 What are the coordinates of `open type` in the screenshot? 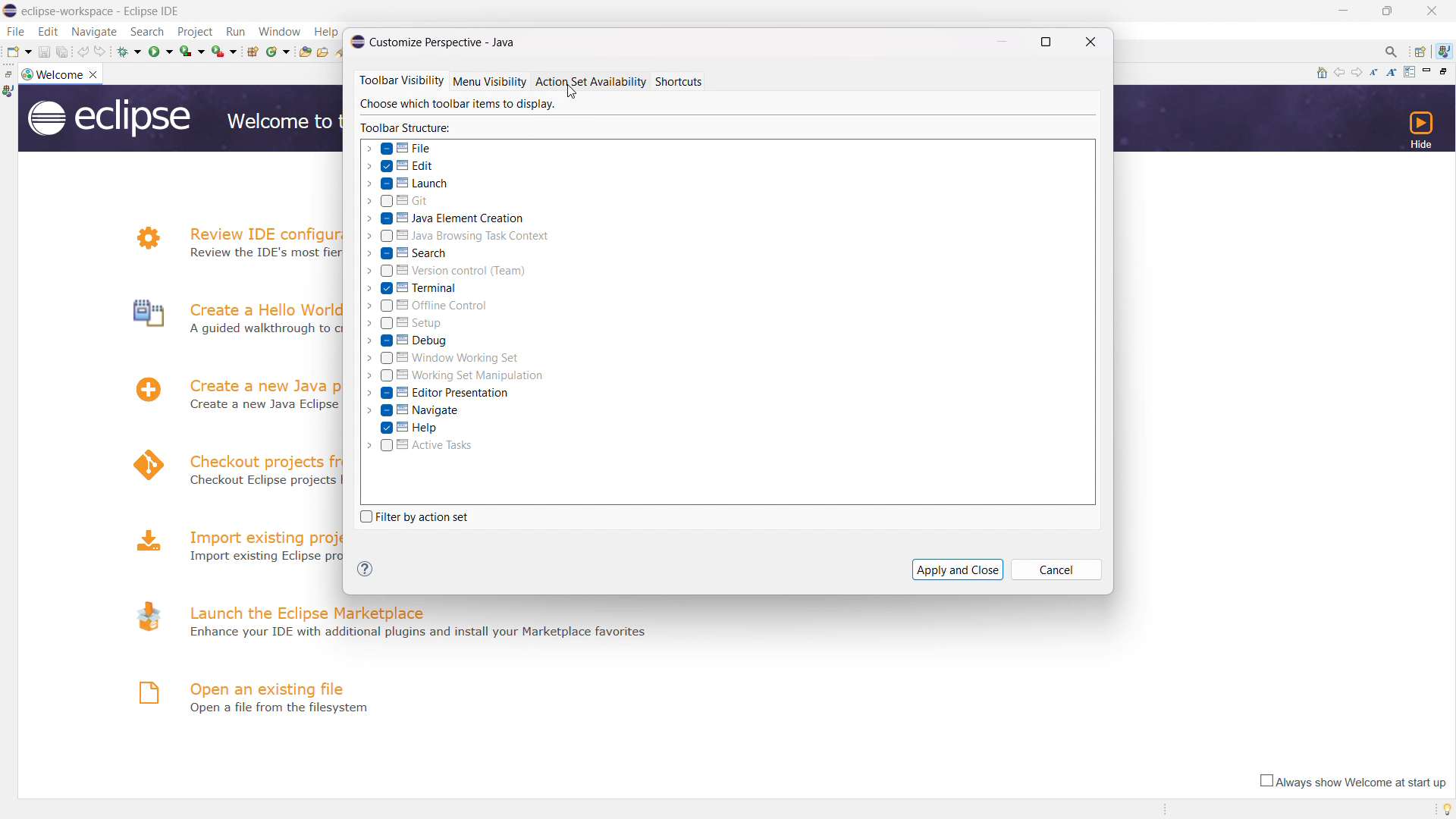 It's located at (304, 52).